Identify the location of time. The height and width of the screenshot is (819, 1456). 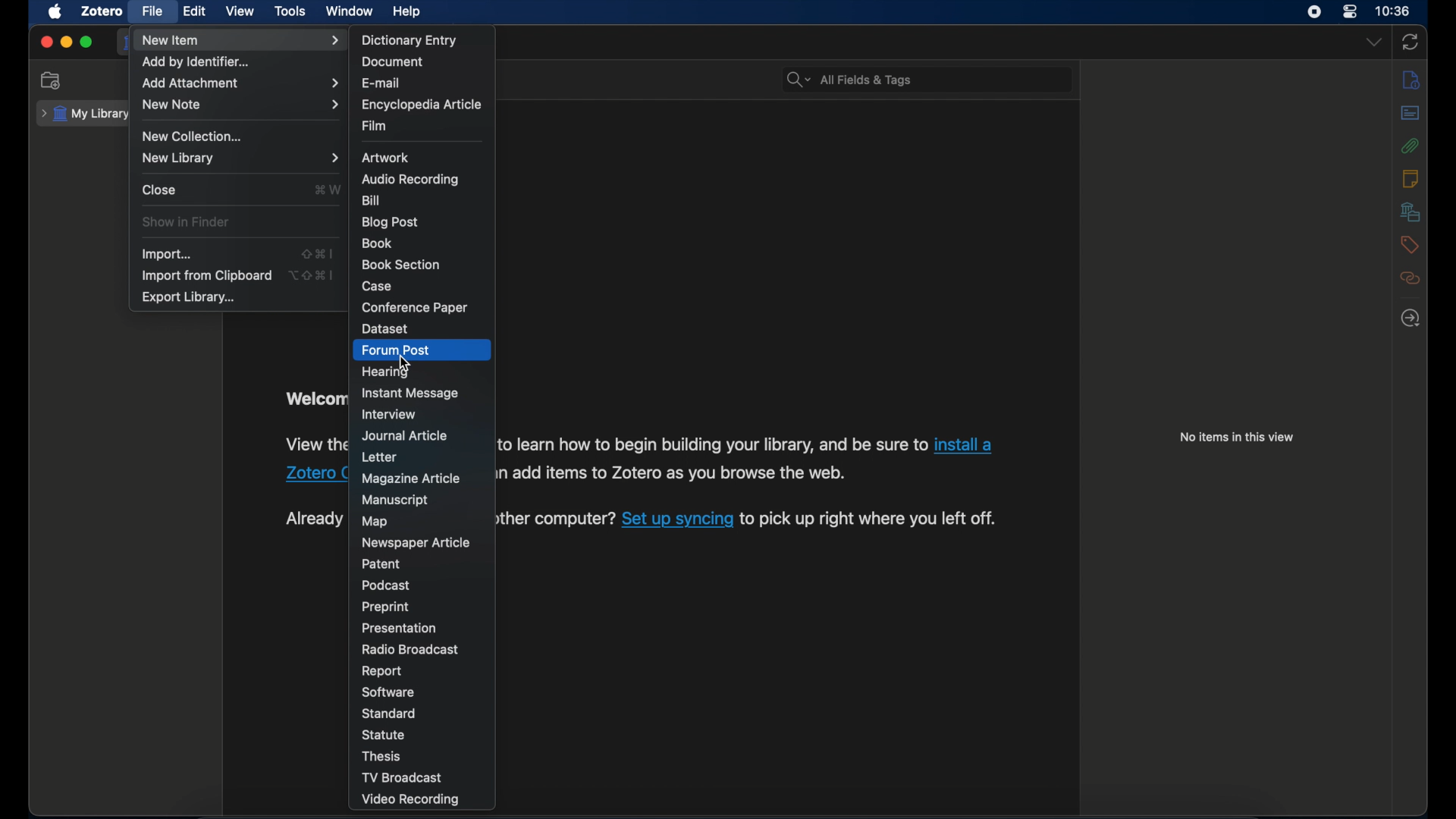
(1392, 10).